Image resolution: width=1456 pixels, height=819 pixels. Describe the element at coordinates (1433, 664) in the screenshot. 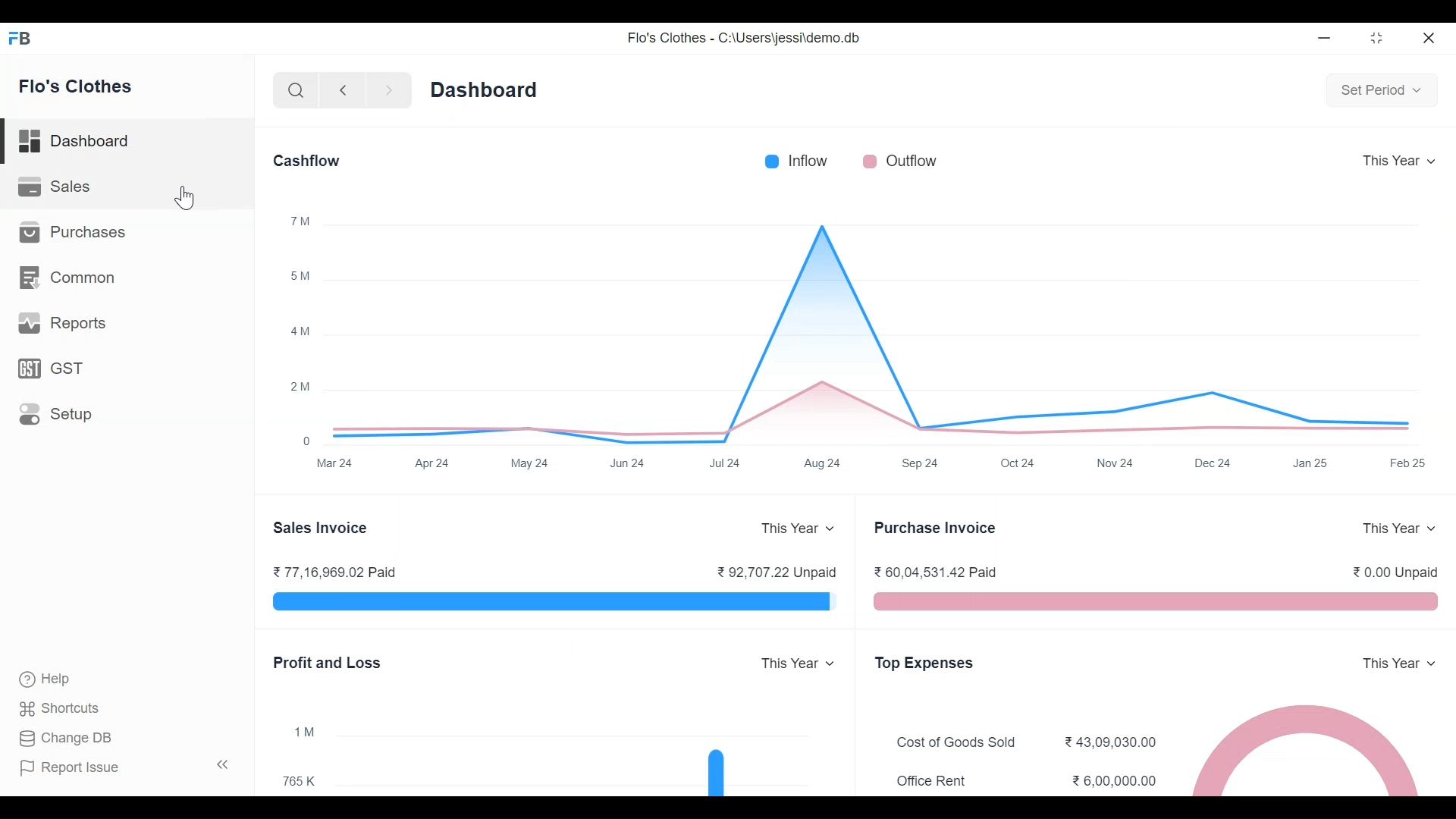

I see `Expand` at that location.